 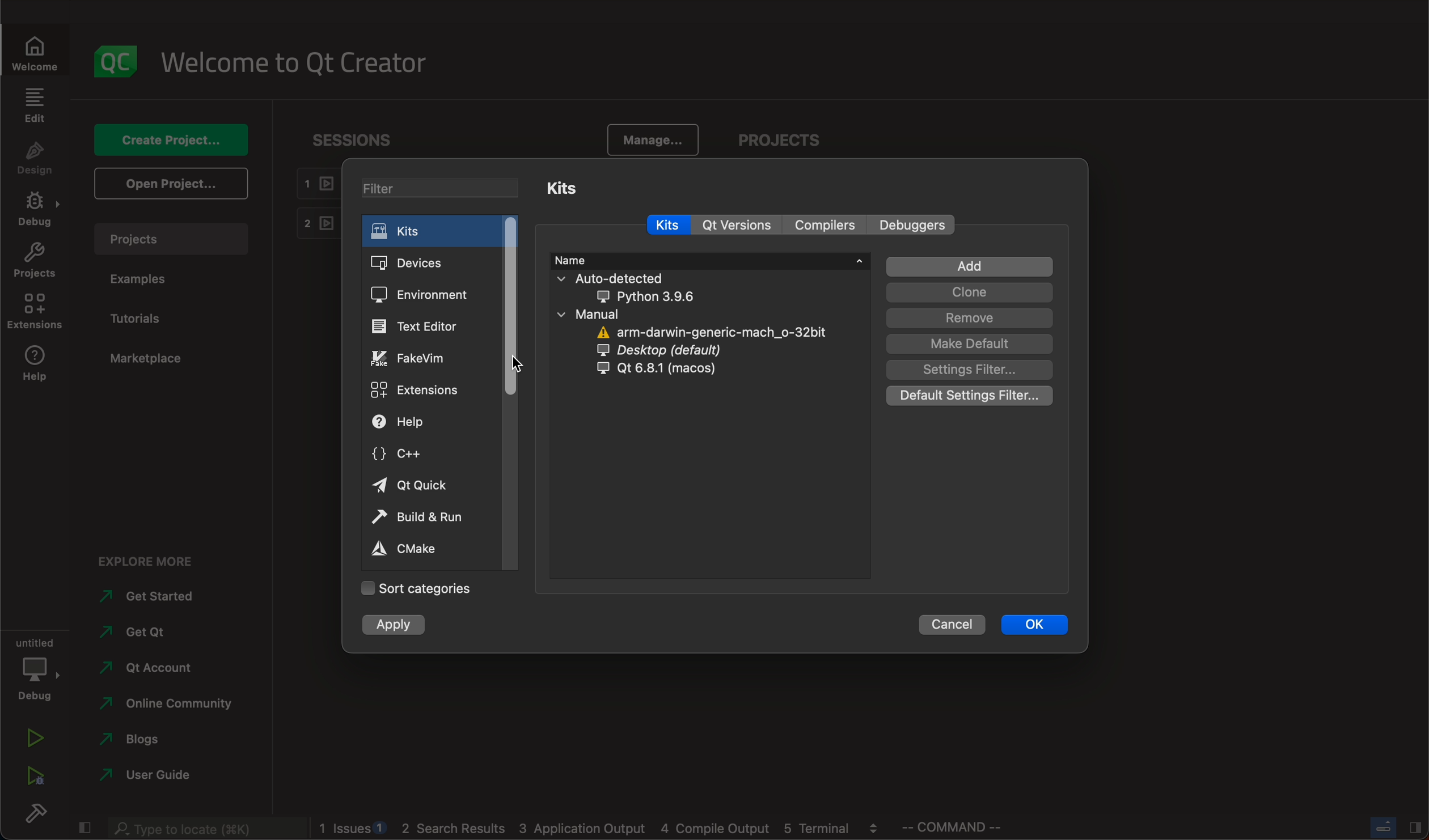 I want to click on open, so click(x=170, y=182).